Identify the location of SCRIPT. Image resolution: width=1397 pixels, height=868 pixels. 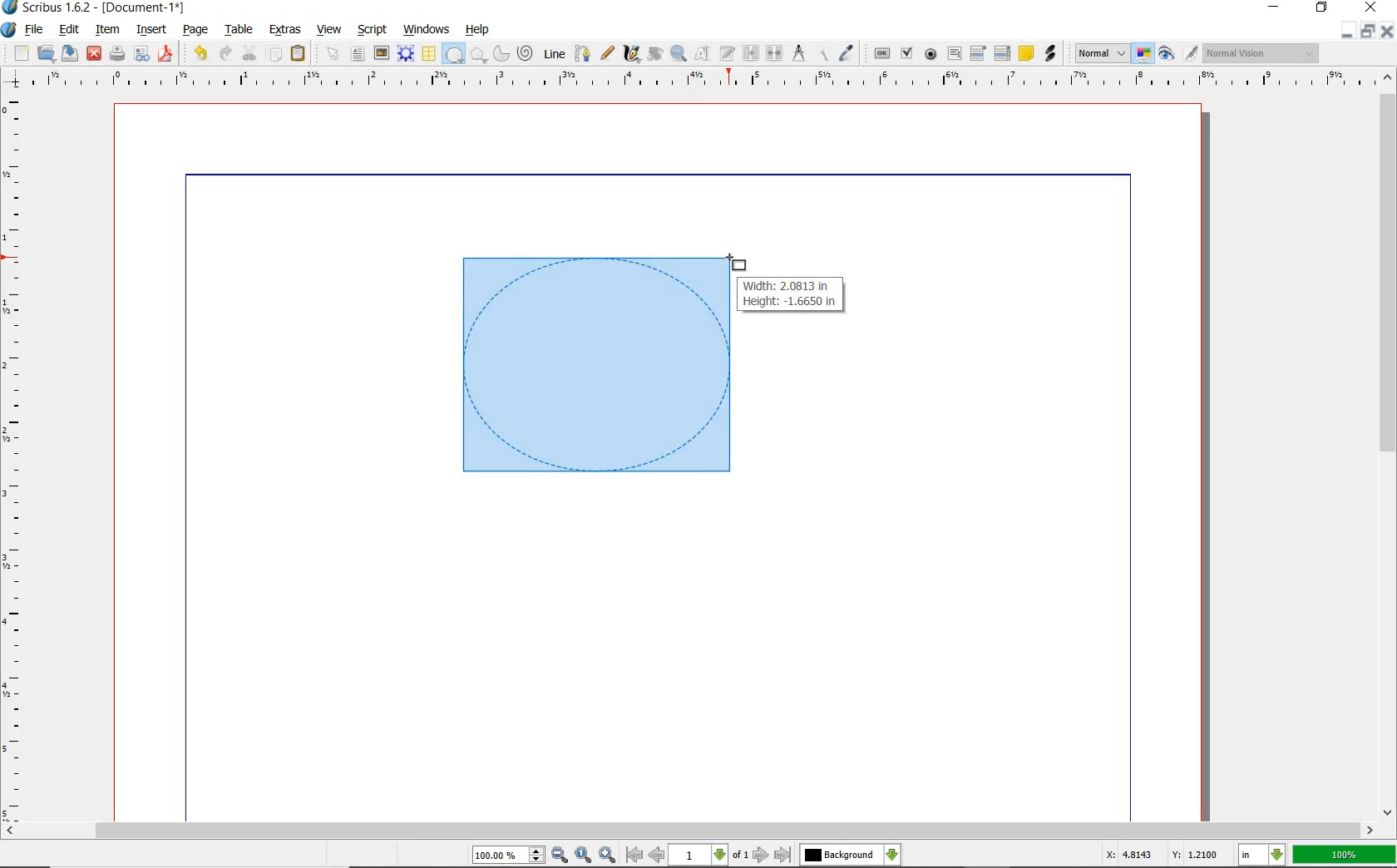
(370, 28).